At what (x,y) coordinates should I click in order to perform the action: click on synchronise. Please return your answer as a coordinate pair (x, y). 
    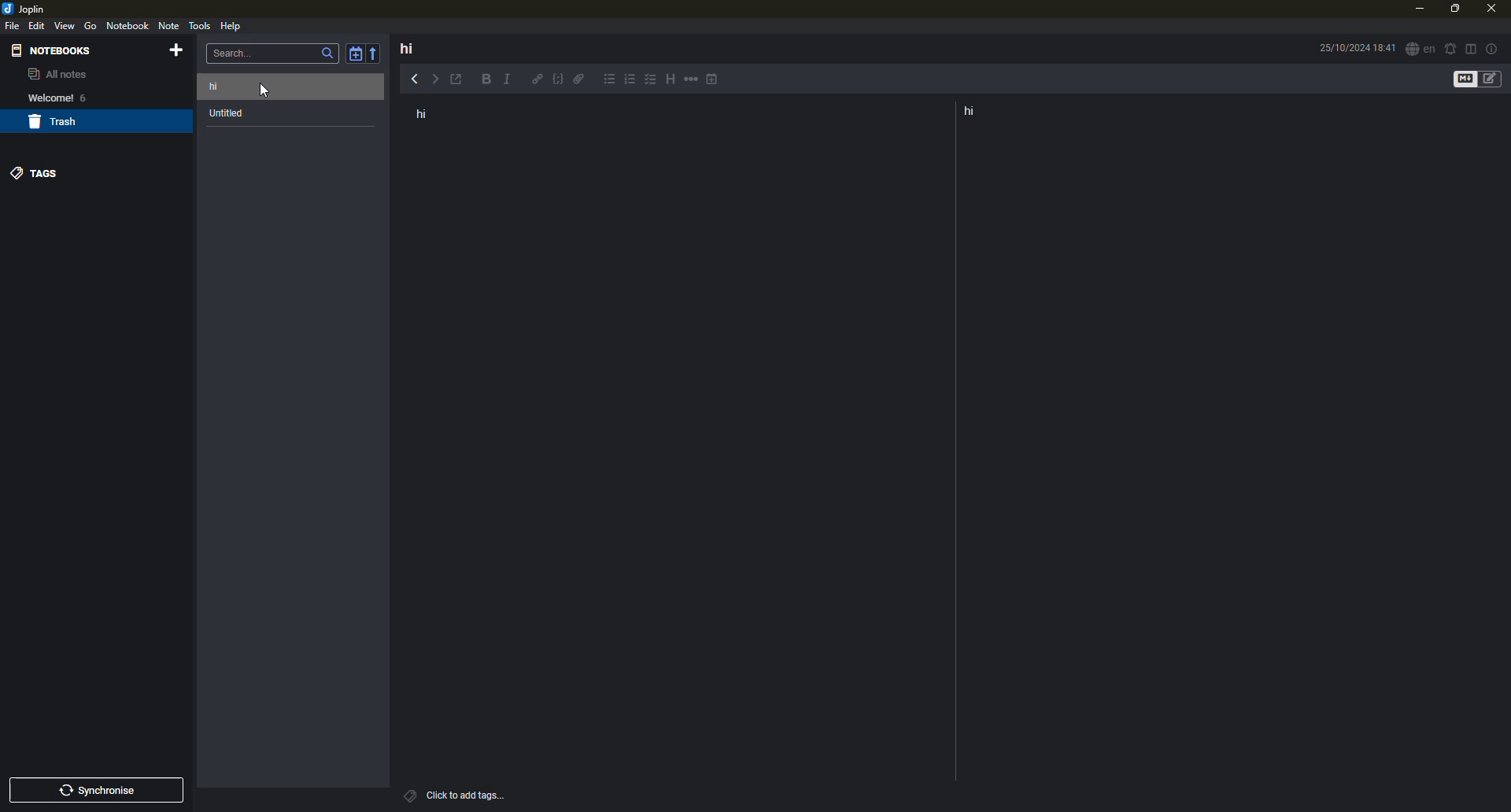
    Looking at the image, I should click on (102, 791).